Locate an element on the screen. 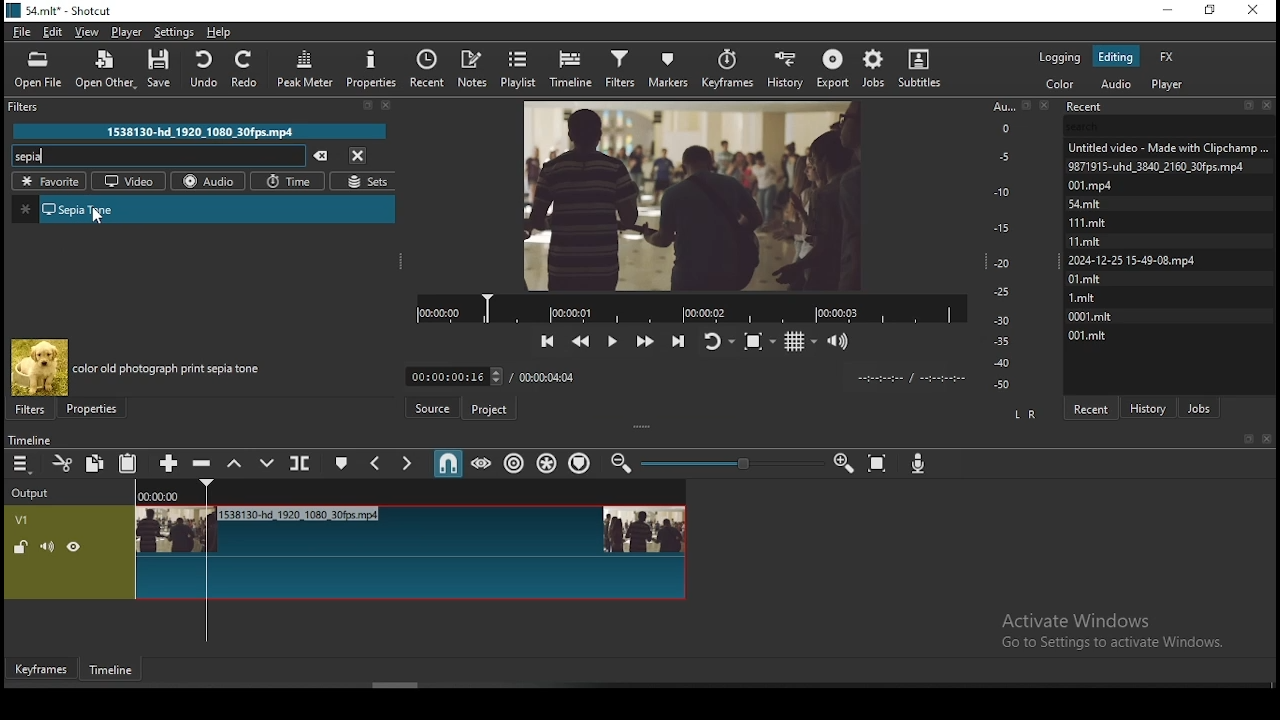 This screenshot has width=1280, height=720. zoom in or zoom out slider is located at coordinates (732, 463).